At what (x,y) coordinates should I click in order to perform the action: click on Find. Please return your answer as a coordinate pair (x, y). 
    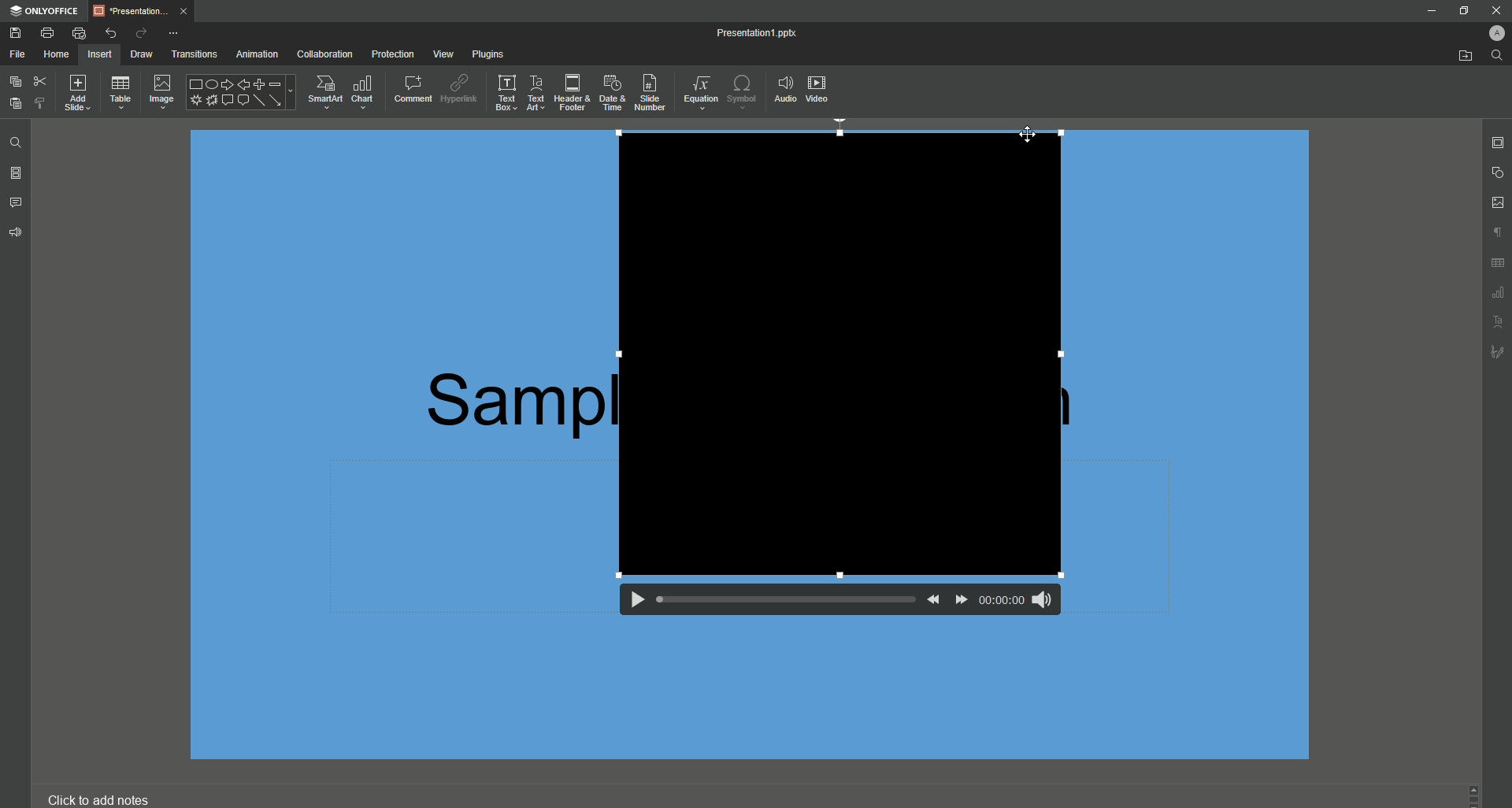
    Looking at the image, I should click on (1495, 55).